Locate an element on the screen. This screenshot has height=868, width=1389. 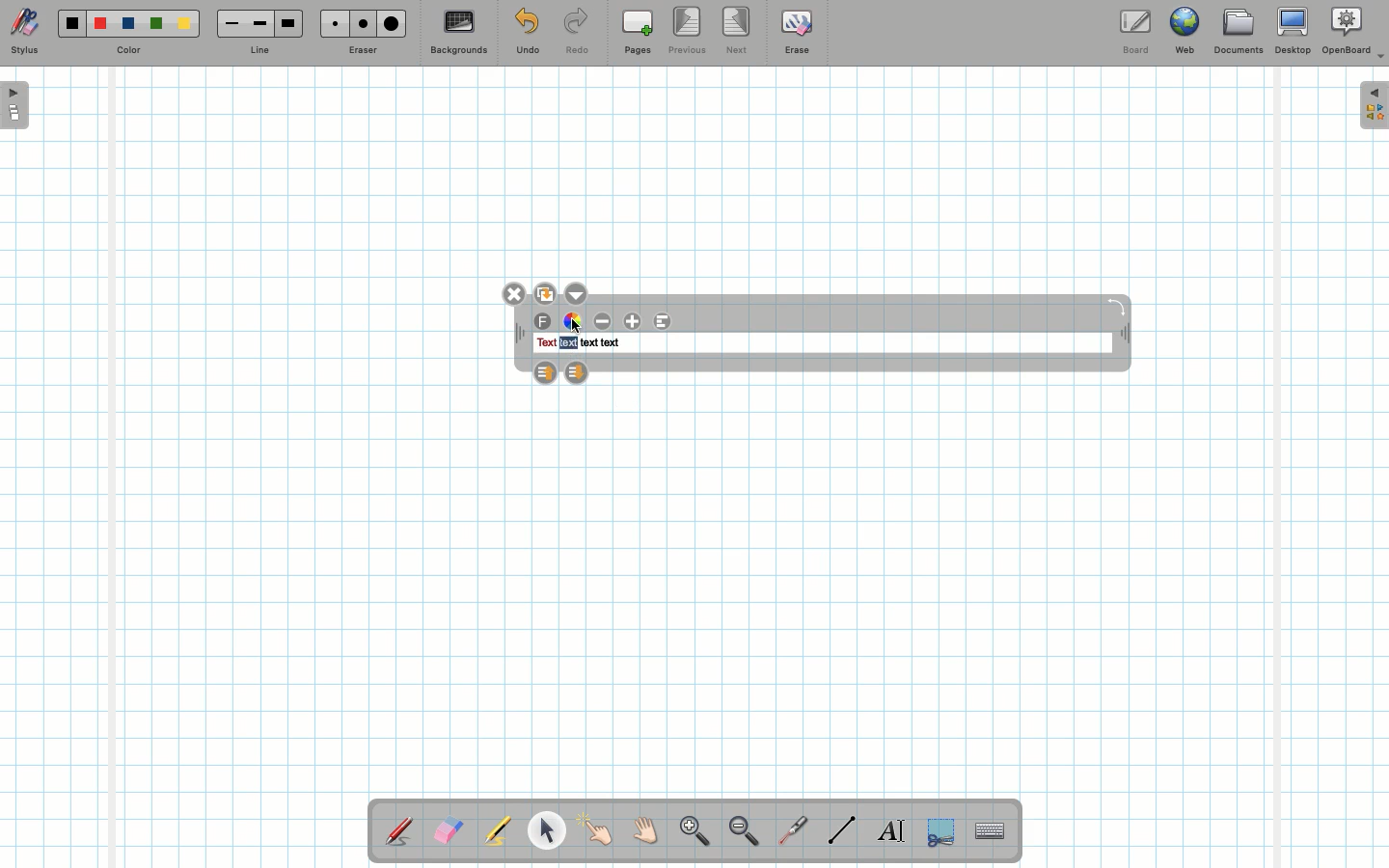
Backgrounds is located at coordinates (458, 33).